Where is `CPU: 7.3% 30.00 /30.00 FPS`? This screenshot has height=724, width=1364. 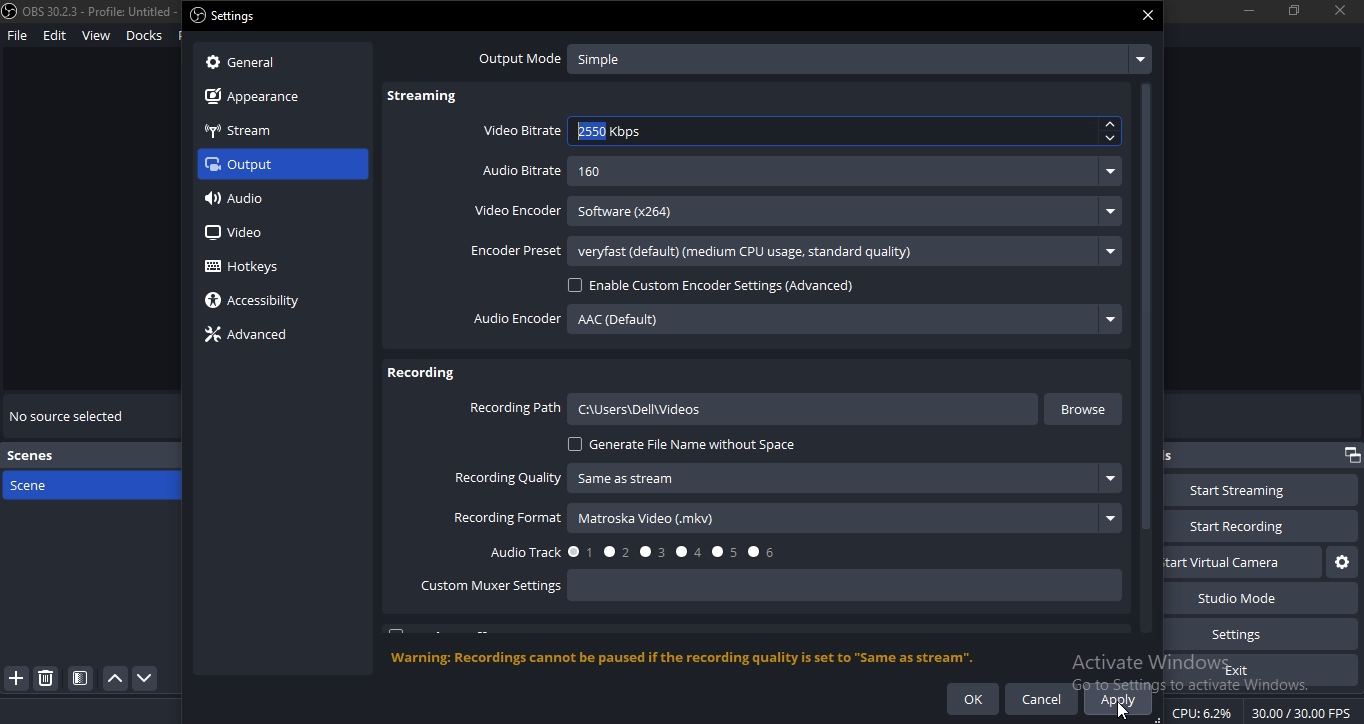
CPU: 7.3% 30.00 /30.00 FPS is located at coordinates (1264, 713).